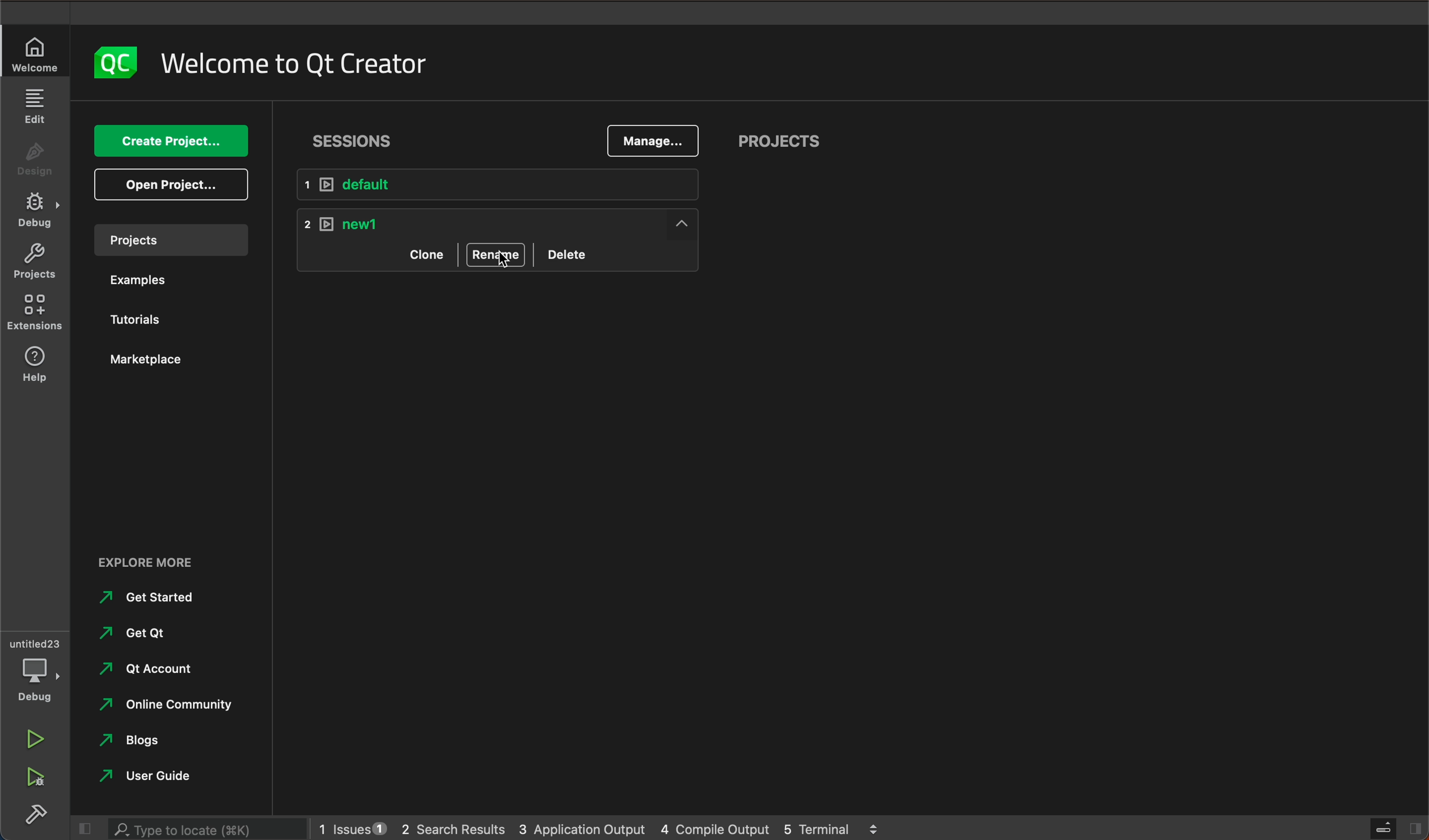  Describe the element at coordinates (35, 163) in the screenshot. I see `design` at that location.